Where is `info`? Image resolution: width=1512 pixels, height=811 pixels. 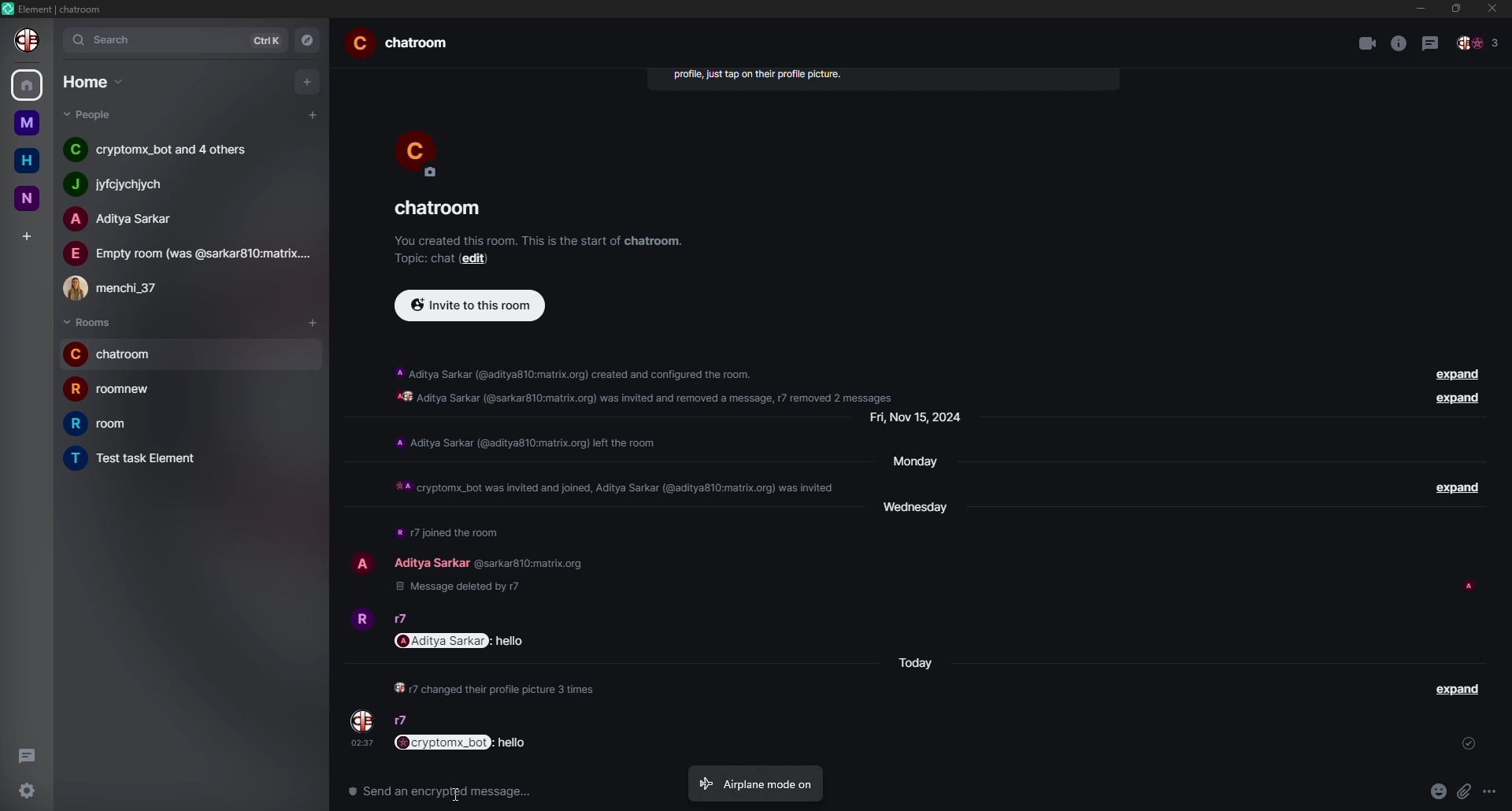 info is located at coordinates (610, 487).